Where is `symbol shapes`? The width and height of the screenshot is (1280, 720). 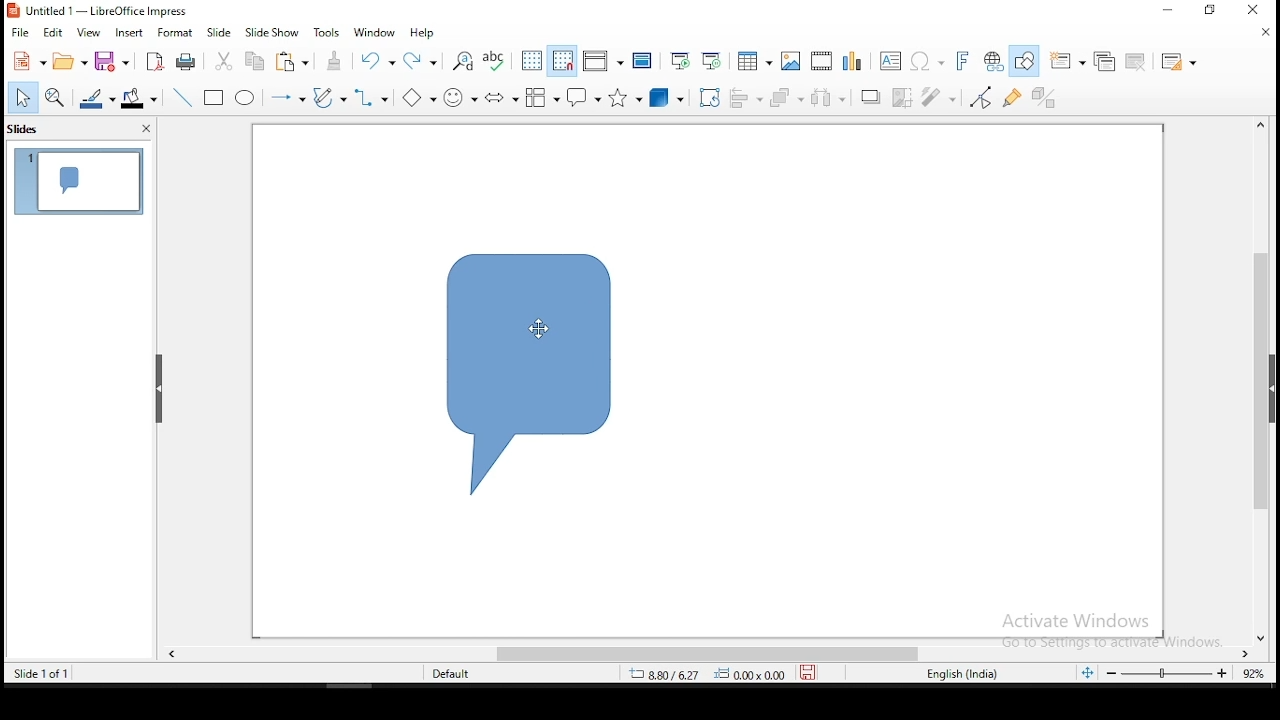 symbol shapes is located at coordinates (458, 95).